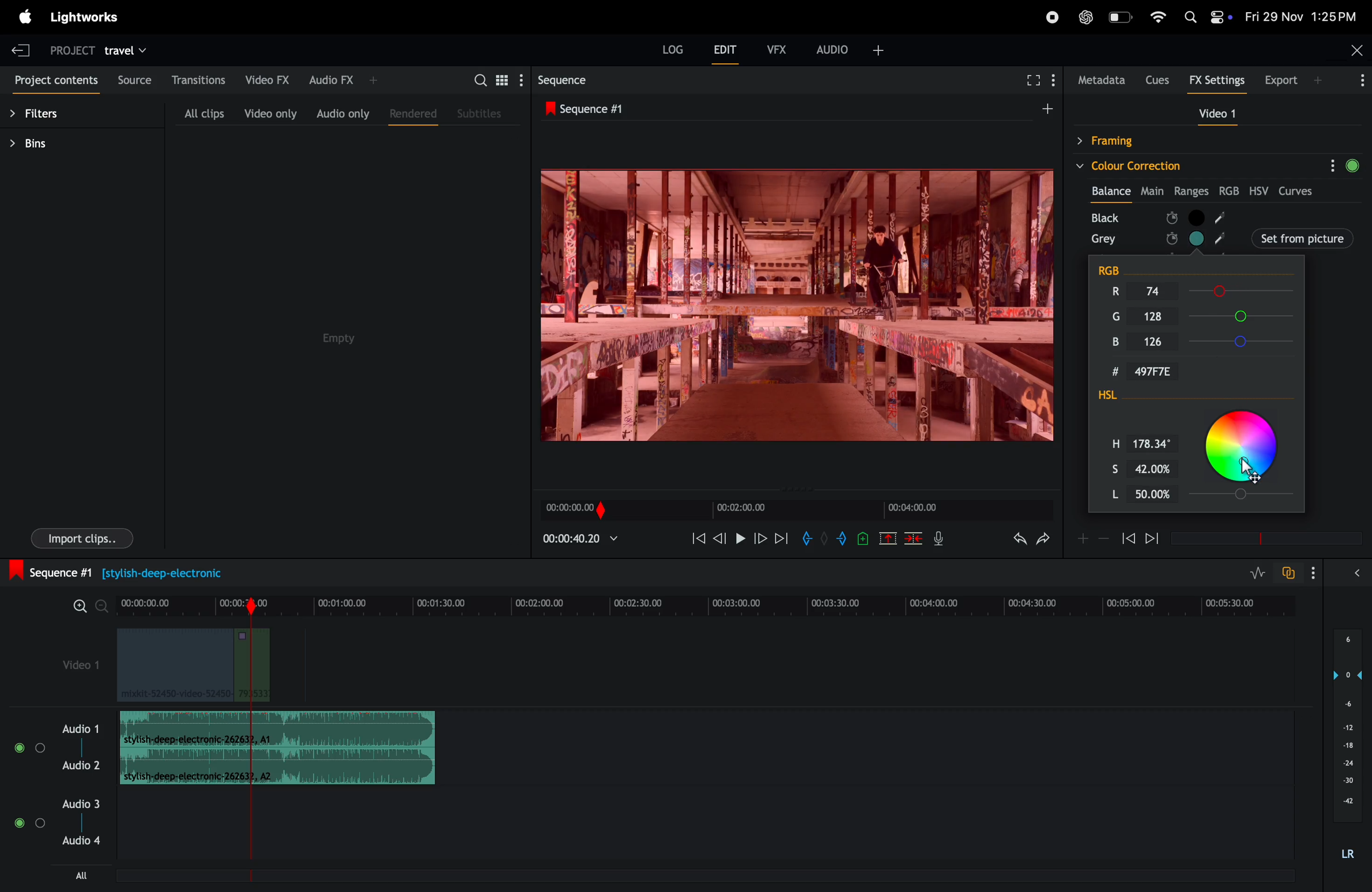  I want to click on forward play, so click(782, 541).